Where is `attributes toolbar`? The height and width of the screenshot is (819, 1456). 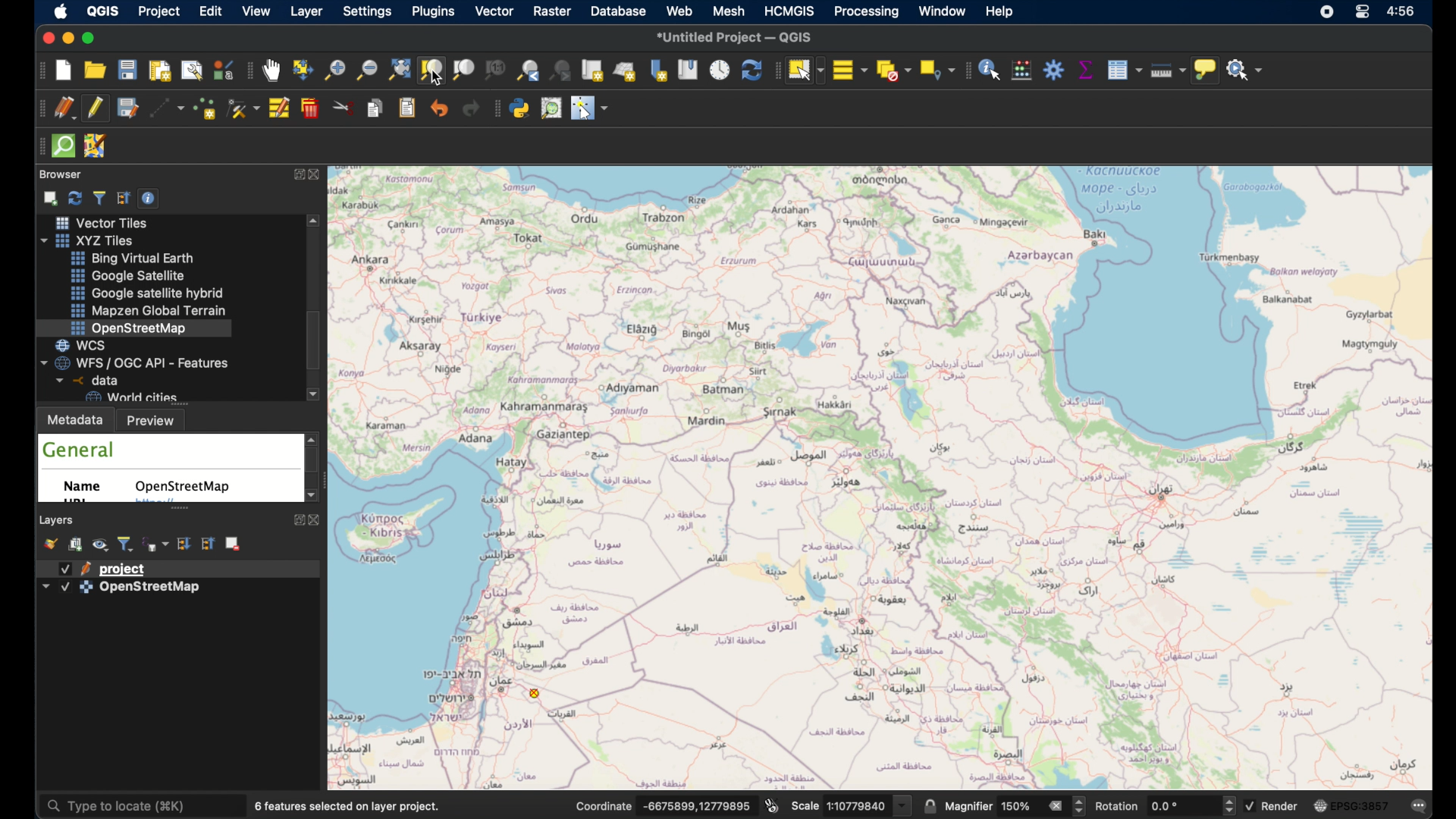
attributes toolbar is located at coordinates (966, 71).